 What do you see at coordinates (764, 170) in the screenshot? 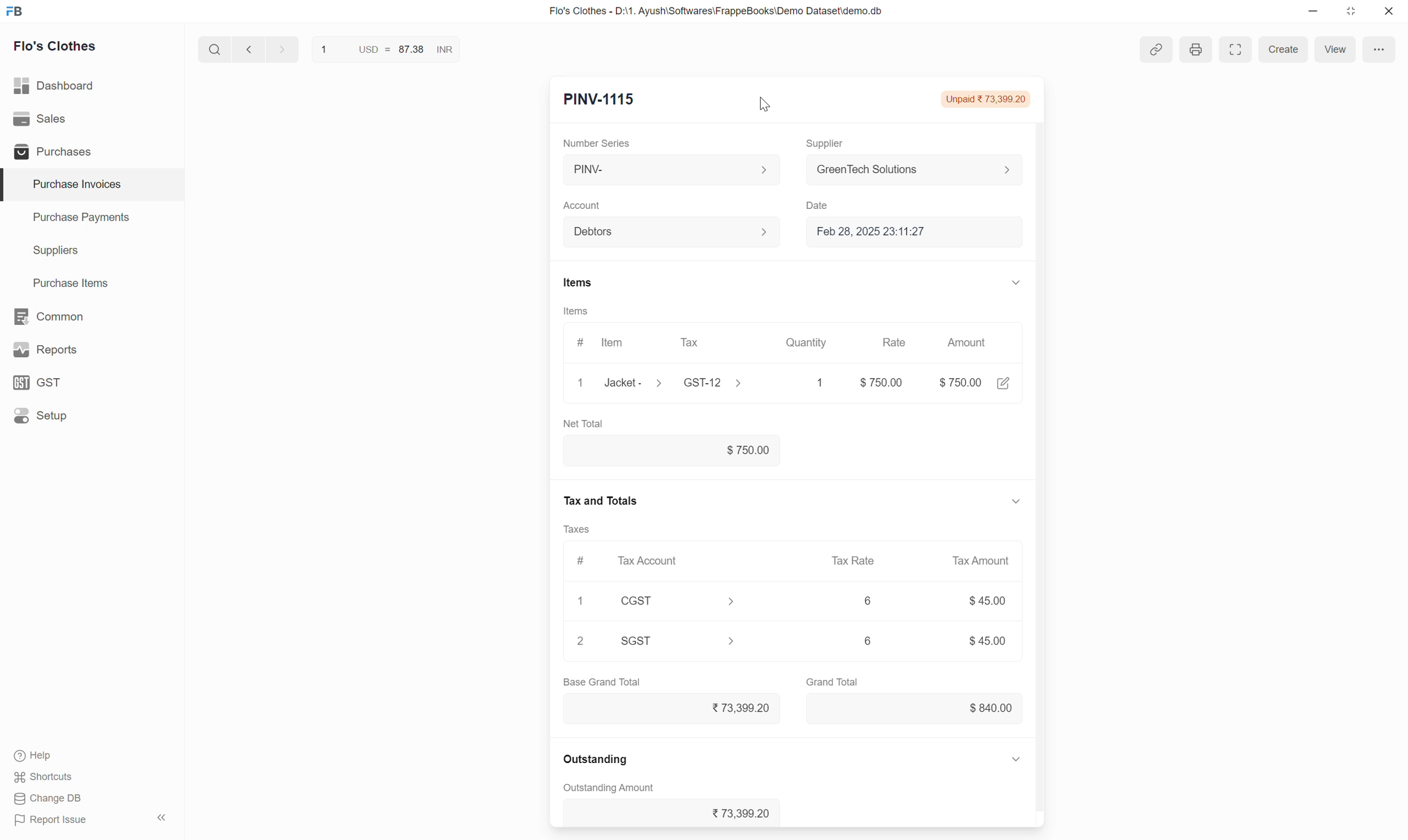
I see `Edit Number Series details` at bounding box center [764, 170].